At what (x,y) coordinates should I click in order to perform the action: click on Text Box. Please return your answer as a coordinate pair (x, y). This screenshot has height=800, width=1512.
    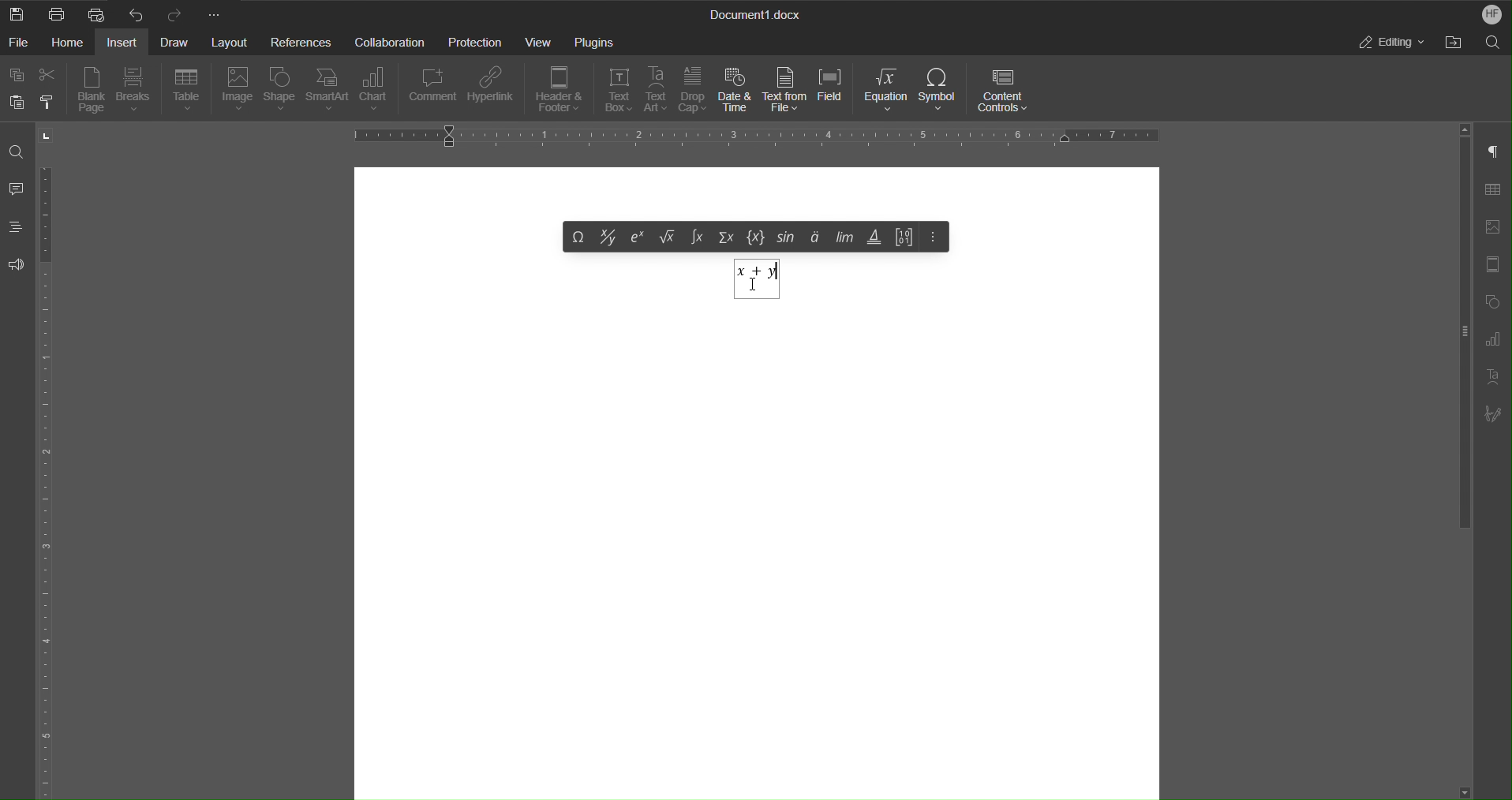
    Looking at the image, I should click on (617, 90).